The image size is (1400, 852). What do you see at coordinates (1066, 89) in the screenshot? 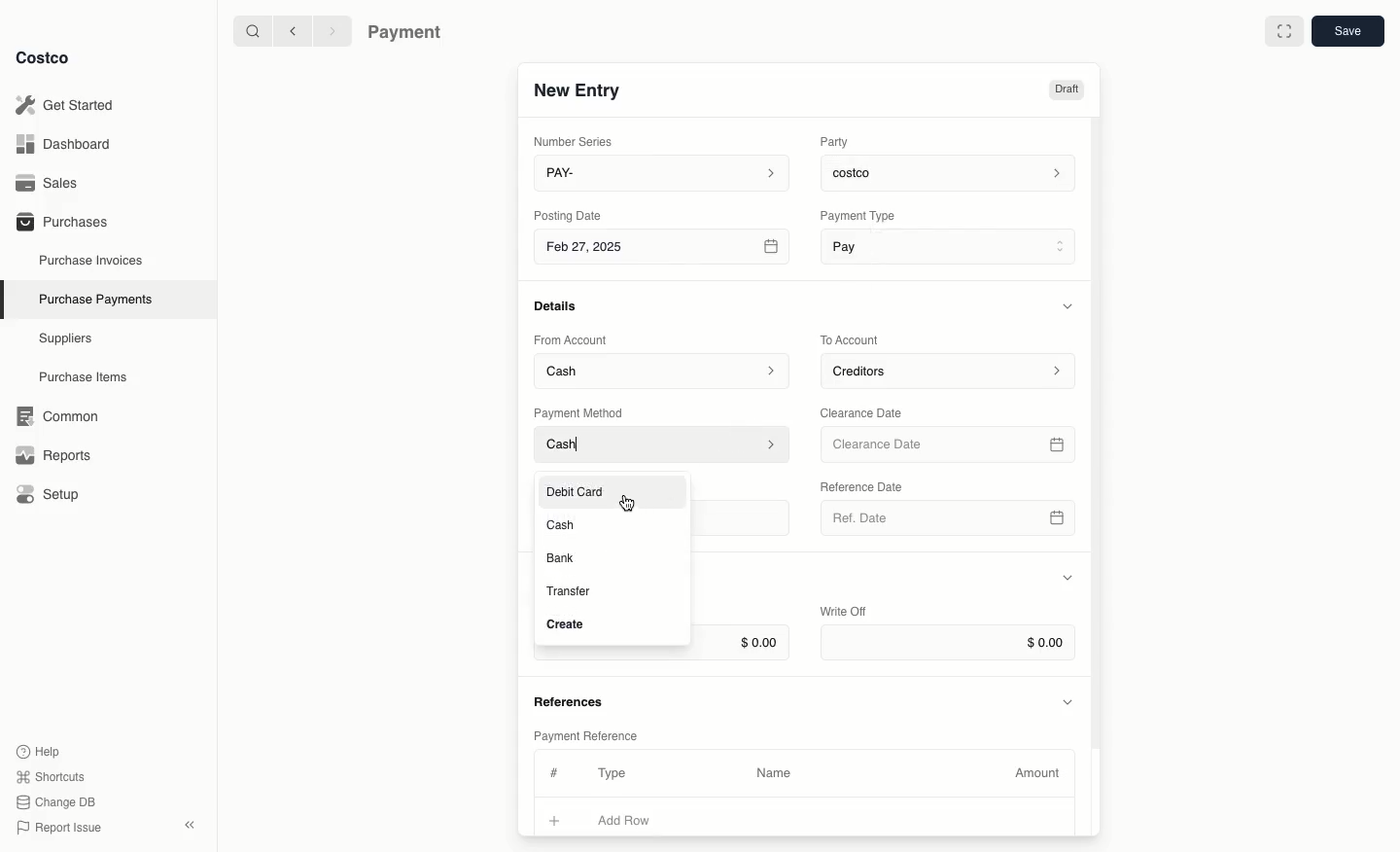
I see `Draft` at bounding box center [1066, 89].